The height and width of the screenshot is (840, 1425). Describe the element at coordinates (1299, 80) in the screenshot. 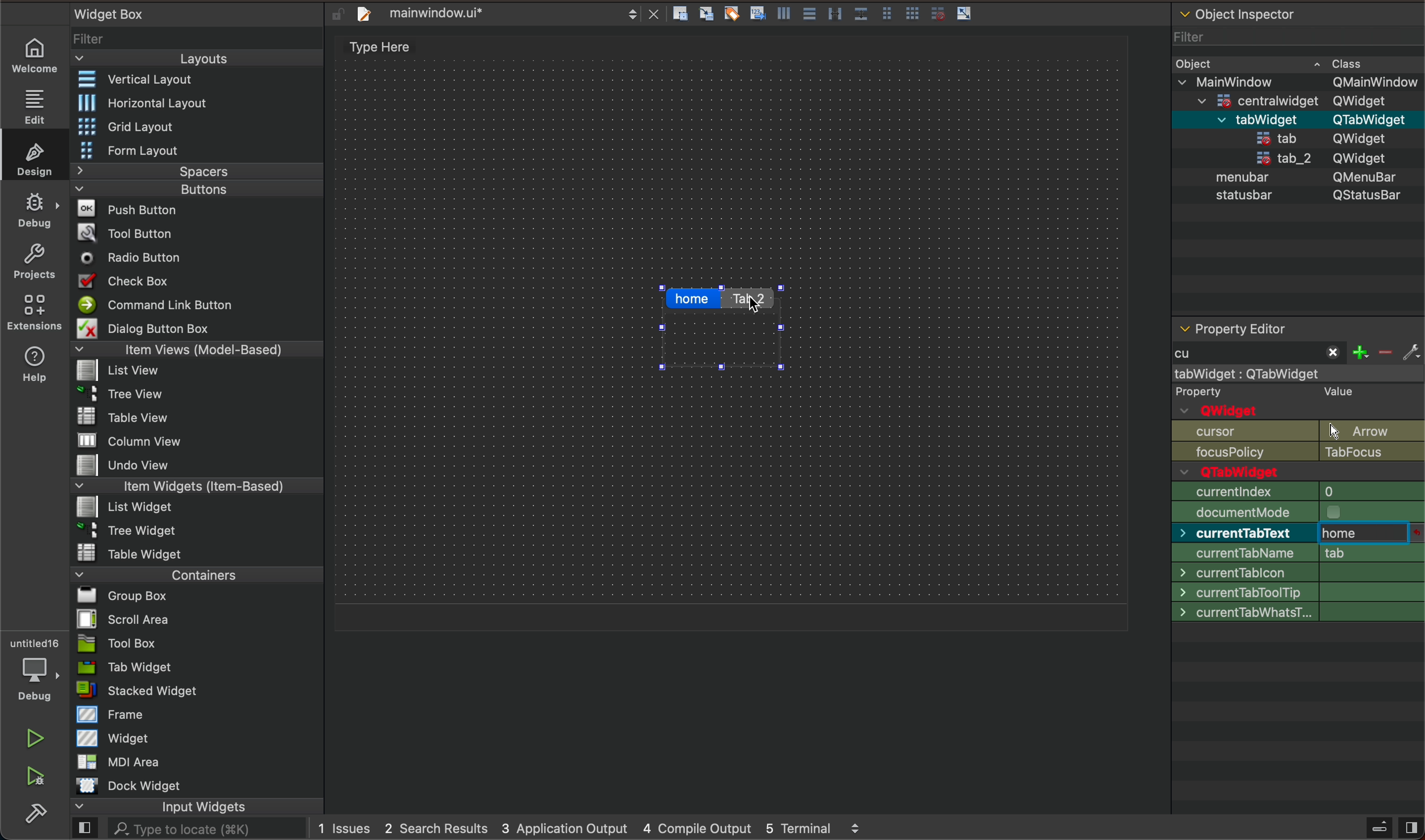

I see `v MainWindow OMainWindow` at that location.